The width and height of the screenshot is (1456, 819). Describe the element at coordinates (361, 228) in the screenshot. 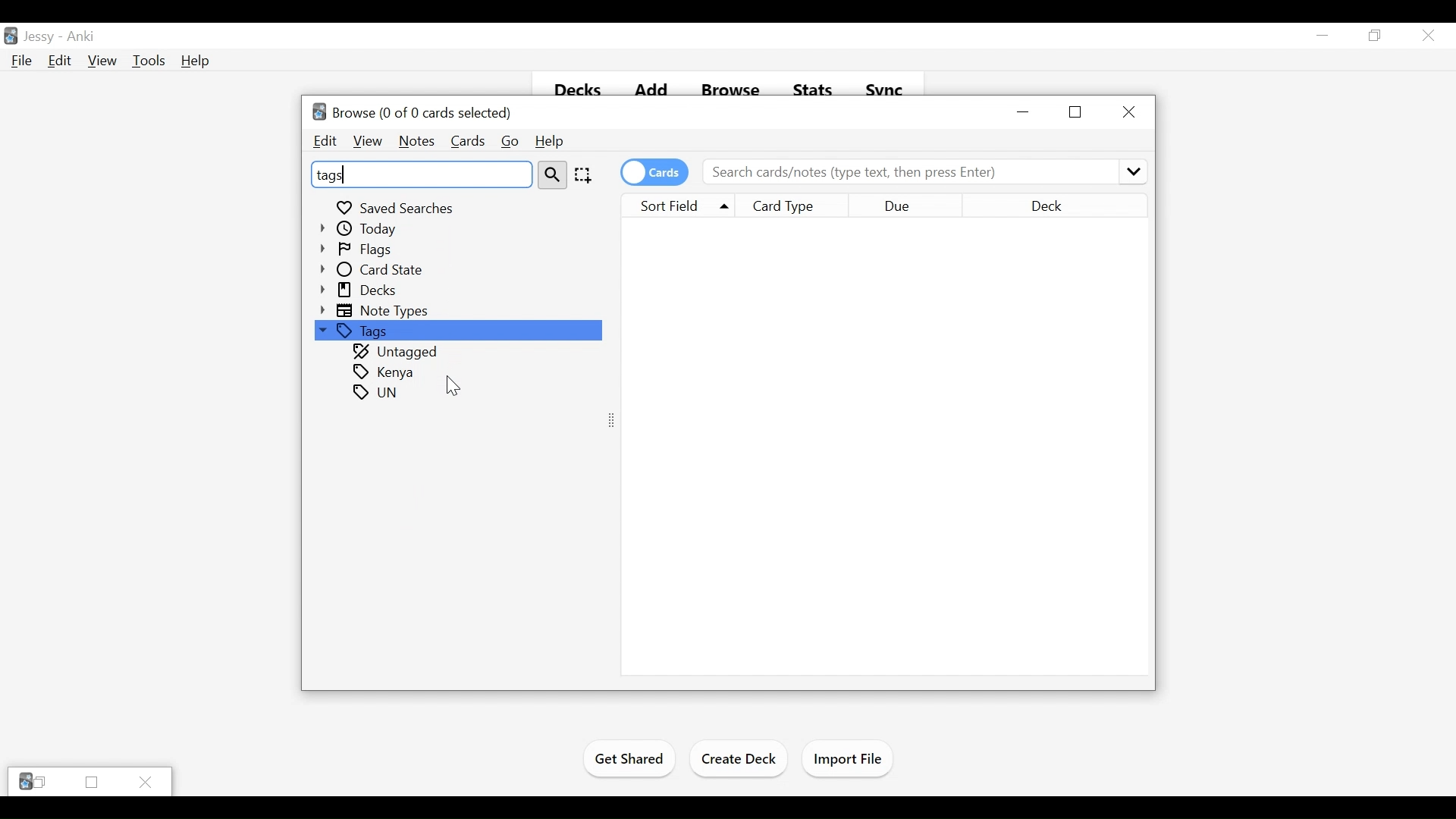

I see `Today` at that location.